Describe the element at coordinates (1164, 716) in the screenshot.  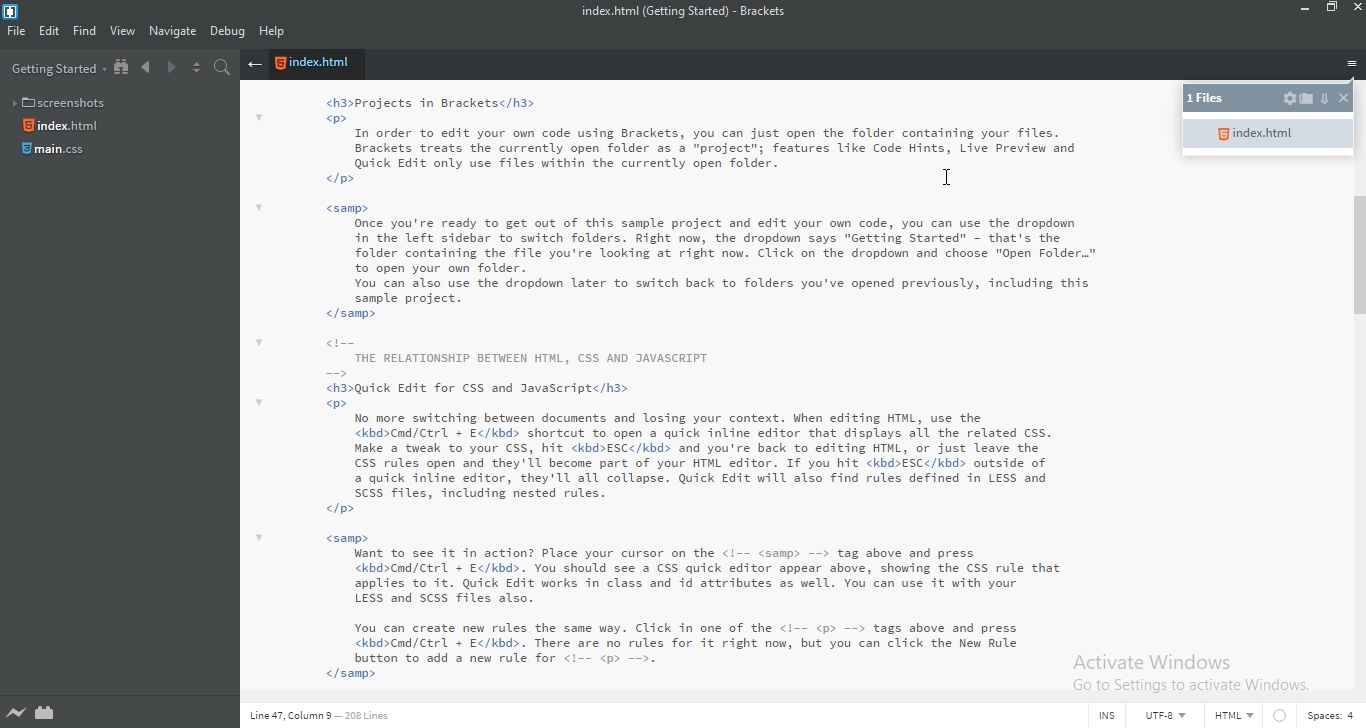
I see `UTF-8` at that location.